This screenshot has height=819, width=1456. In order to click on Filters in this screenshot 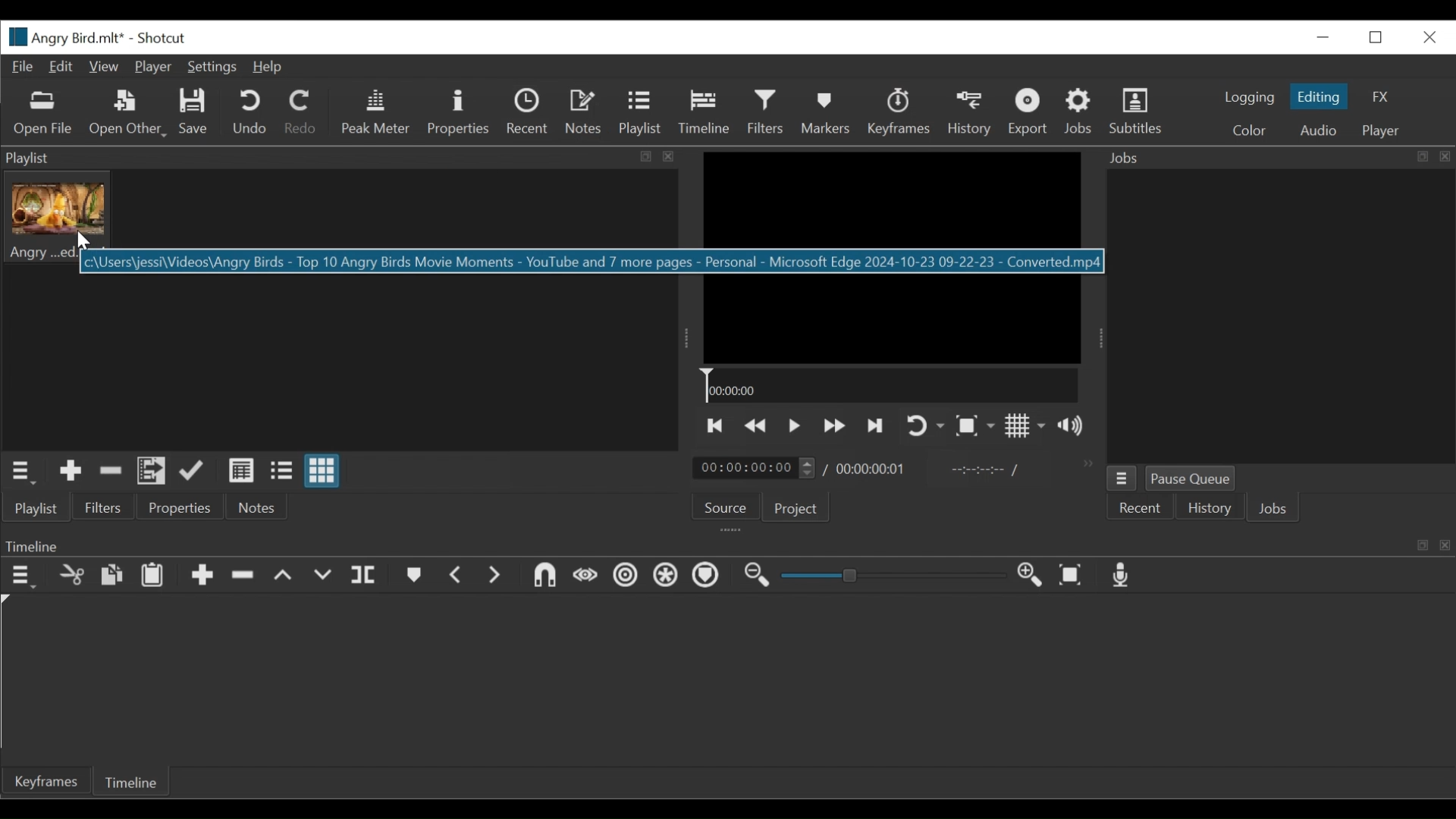, I will do `click(105, 507)`.